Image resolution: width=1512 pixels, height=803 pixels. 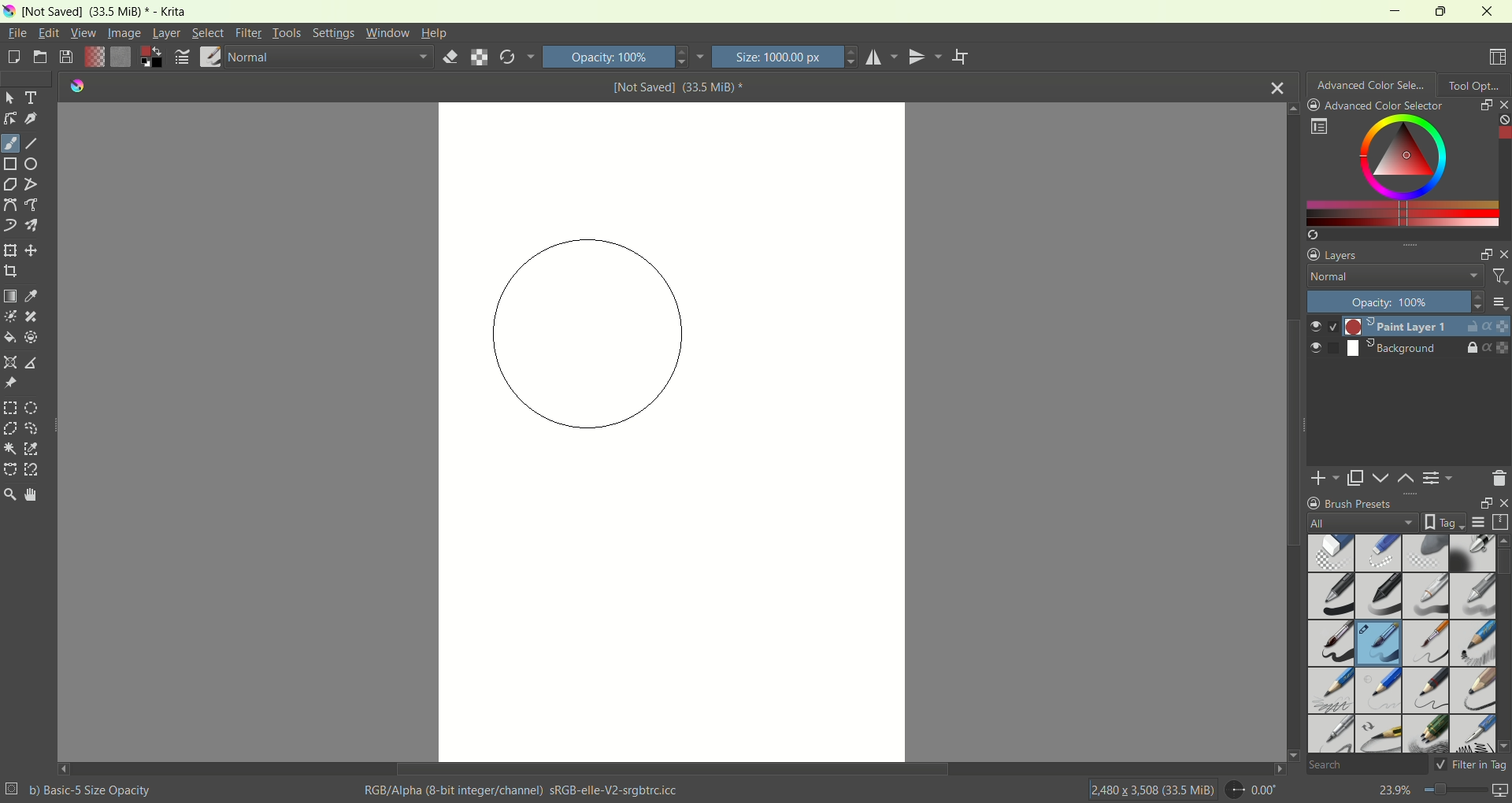 I want to click on properties, so click(x=1496, y=326).